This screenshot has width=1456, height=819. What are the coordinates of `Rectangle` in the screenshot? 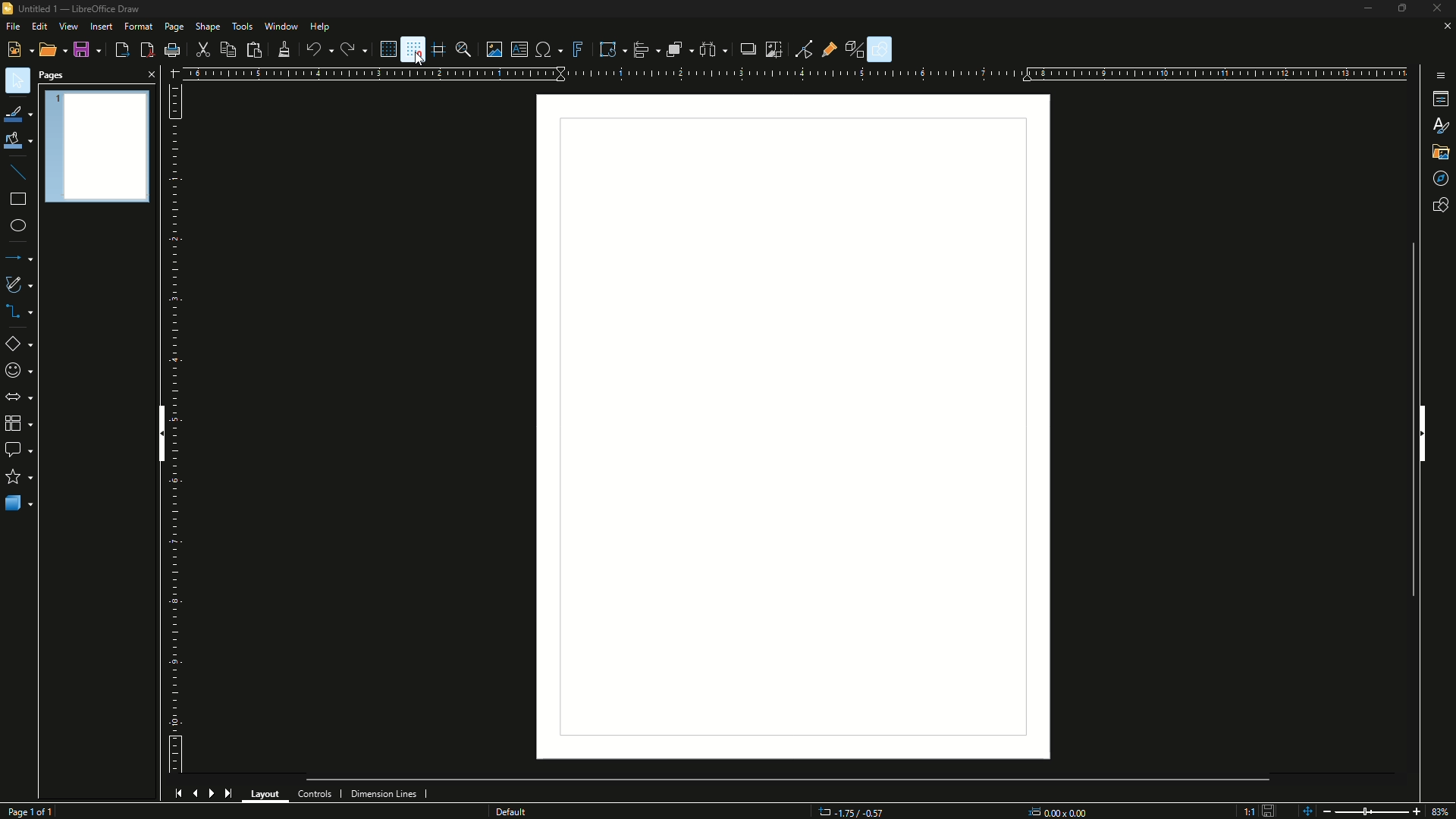 It's located at (22, 201).